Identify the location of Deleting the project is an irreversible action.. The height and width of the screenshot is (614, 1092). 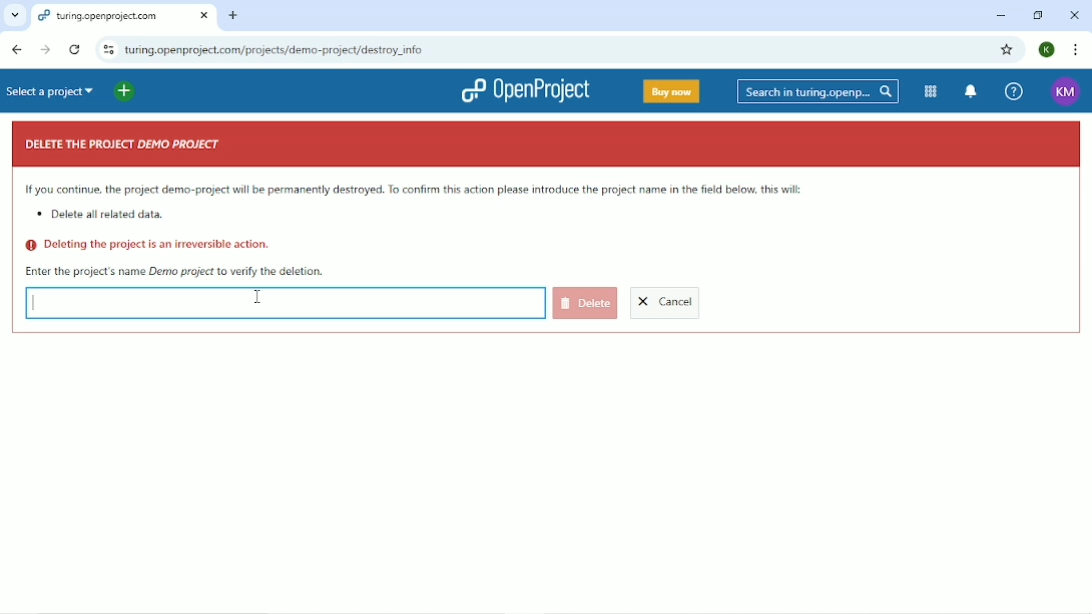
(149, 245).